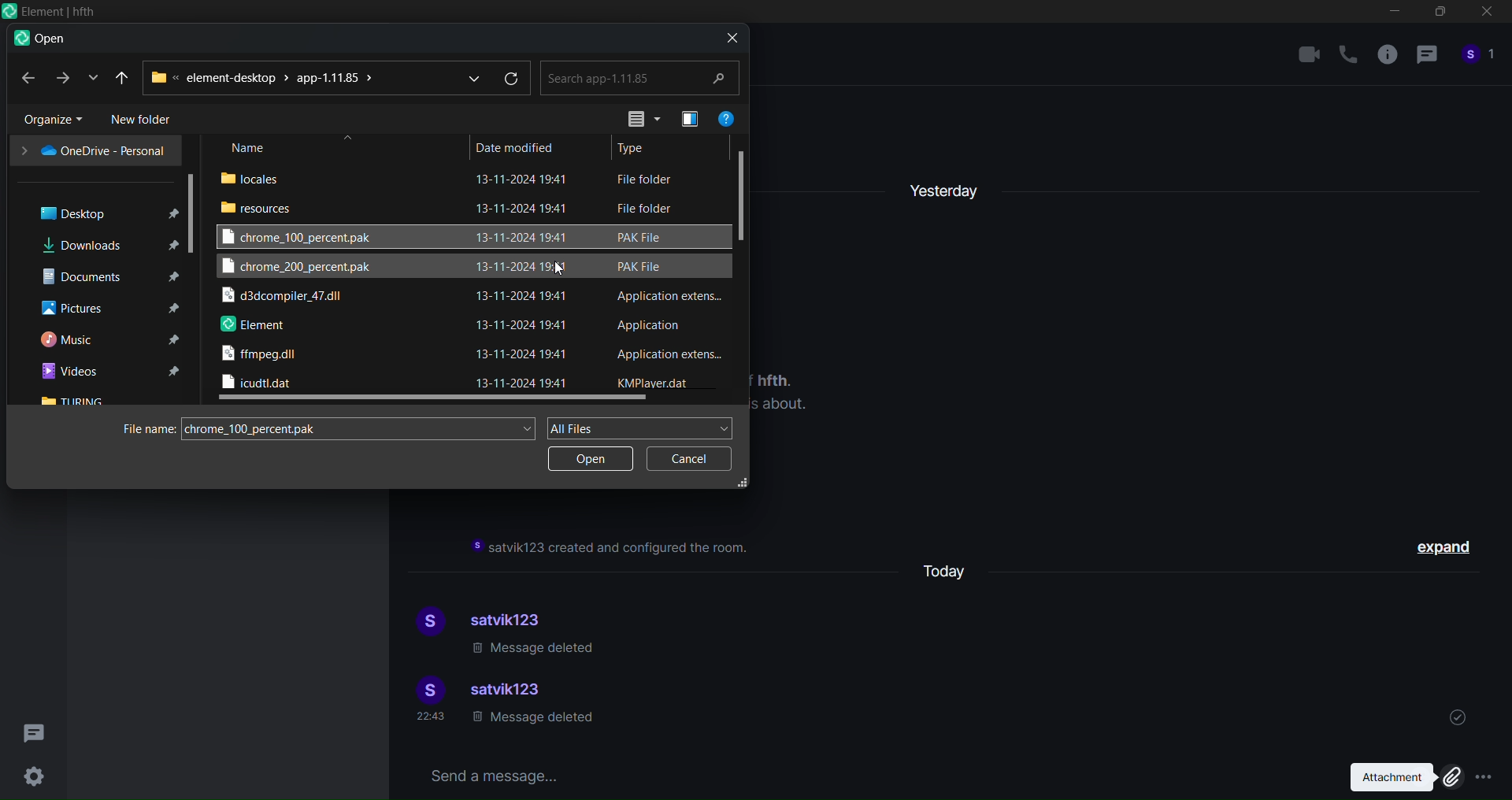  What do you see at coordinates (106, 340) in the screenshot?
I see `music` at bounding box center [106, 340].